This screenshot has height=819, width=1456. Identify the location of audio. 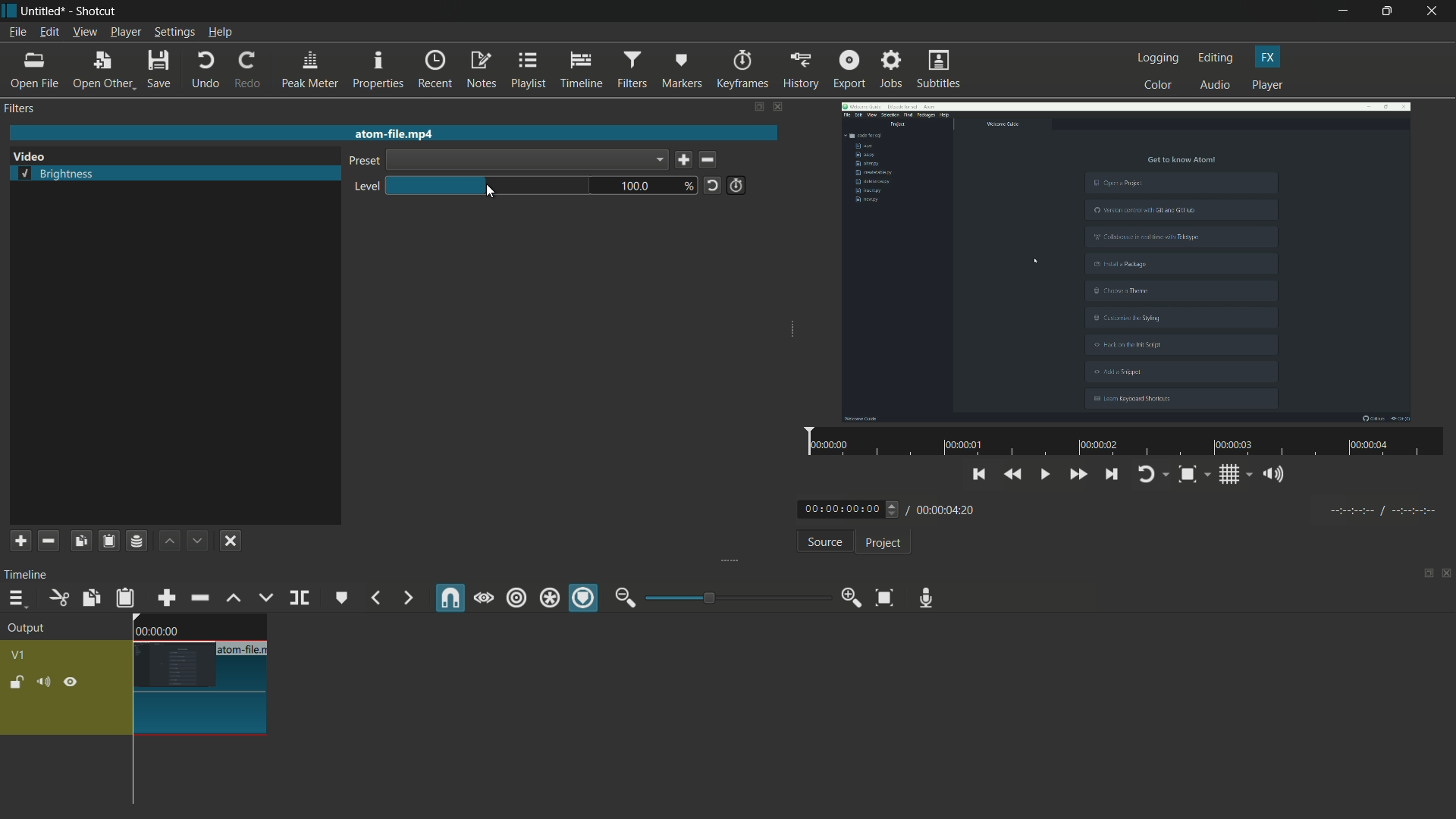
(1216, 86).